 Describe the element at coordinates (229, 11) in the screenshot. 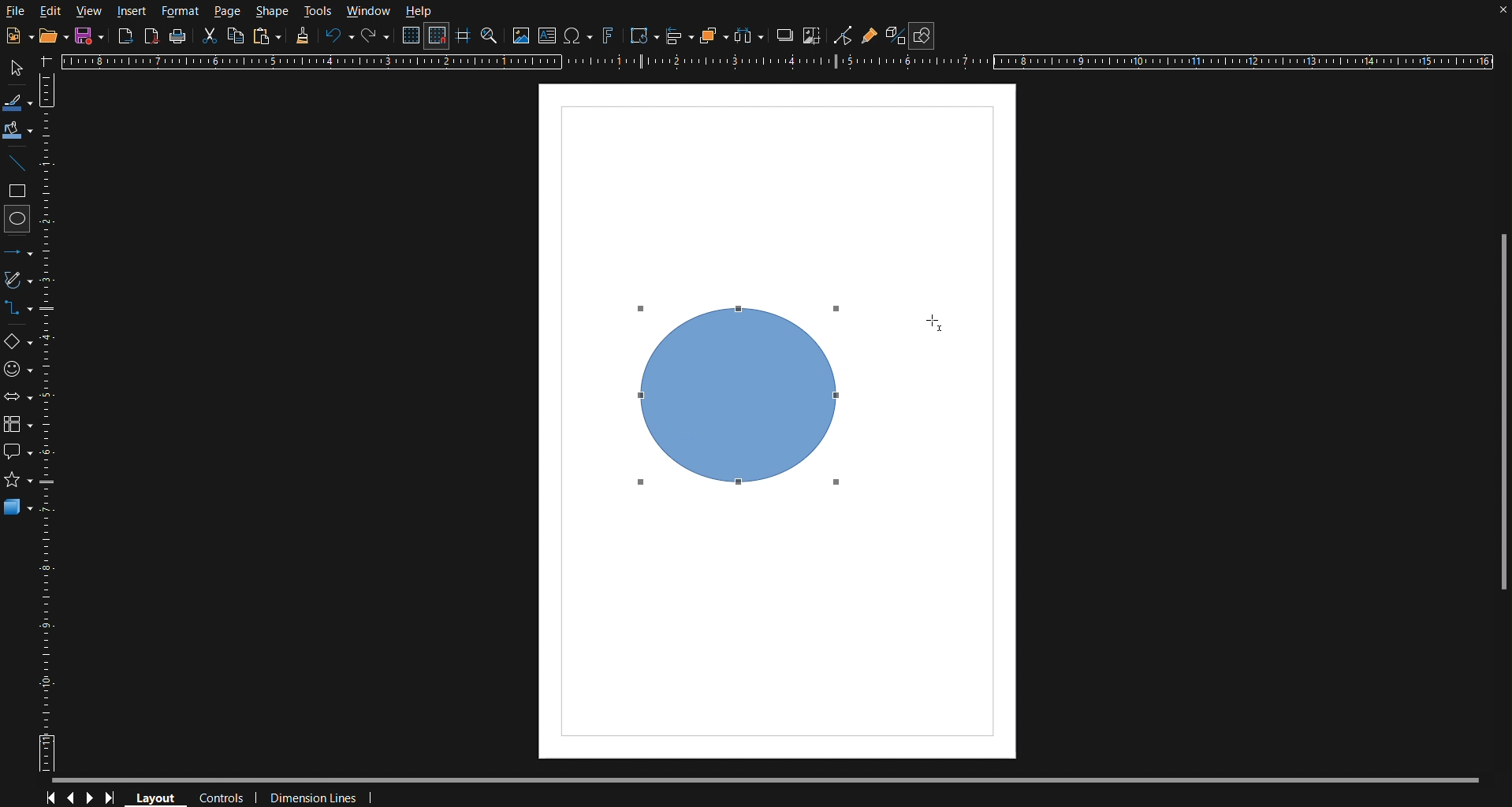

I see `Page` at that location.